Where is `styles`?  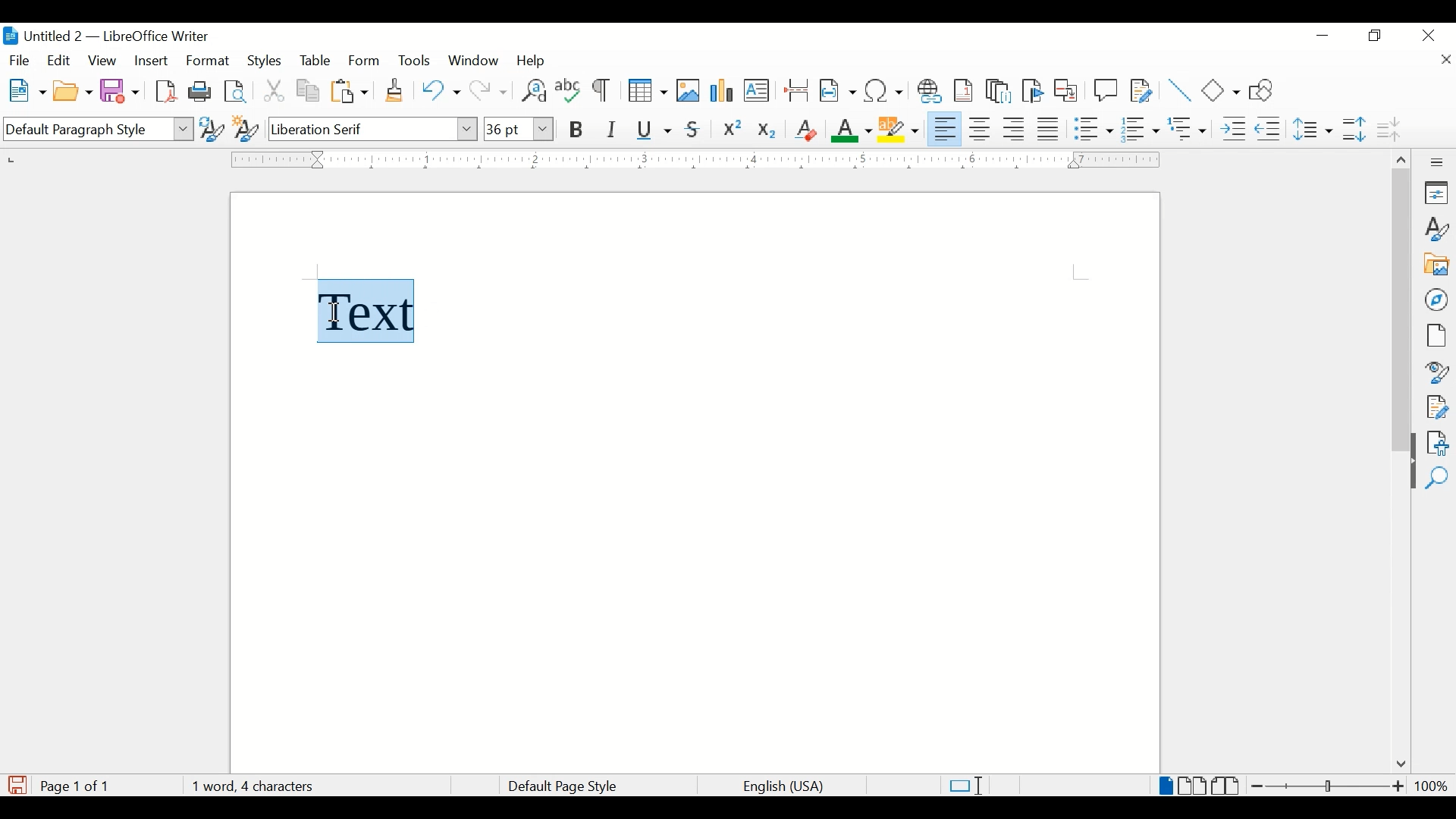 styles is located at coordinates (266, 61).